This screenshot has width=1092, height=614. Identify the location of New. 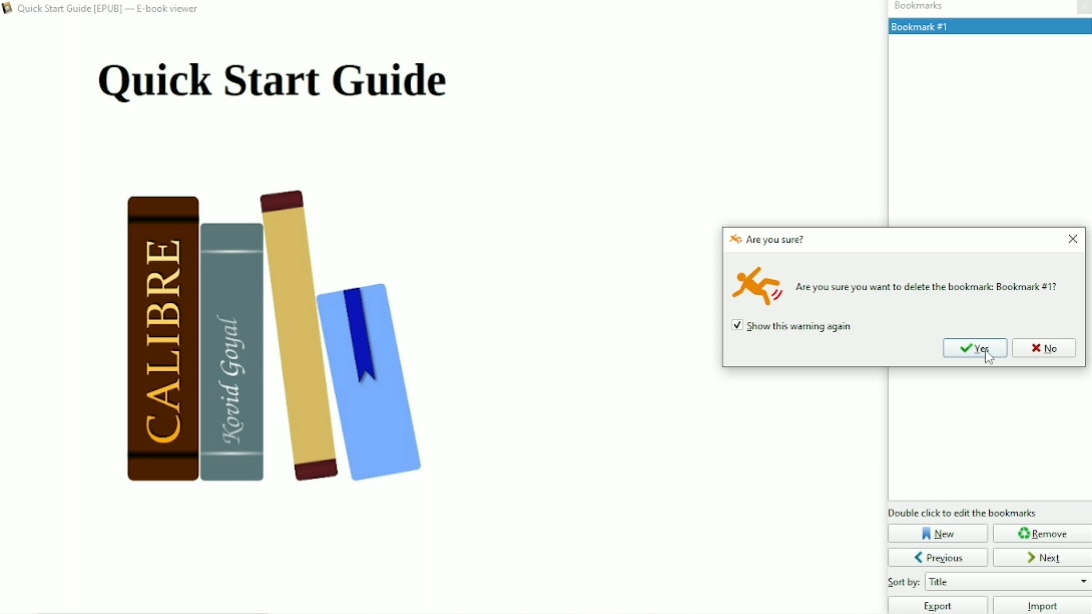
(938, 533).